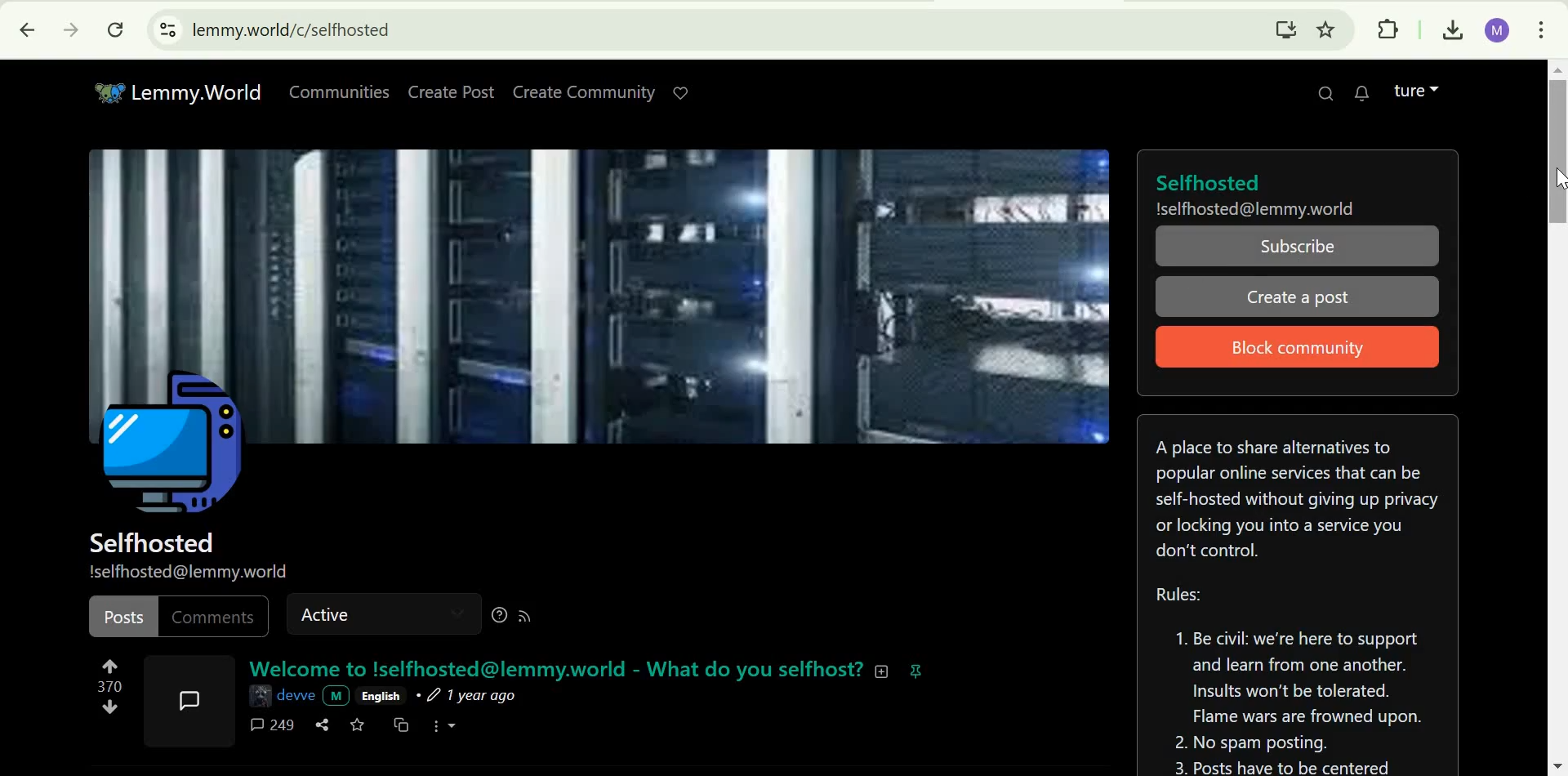  What do you see at coordinates (1415, 91) in the screenshot?
I see `Lemmy account` at bounding box center [1415, 91].